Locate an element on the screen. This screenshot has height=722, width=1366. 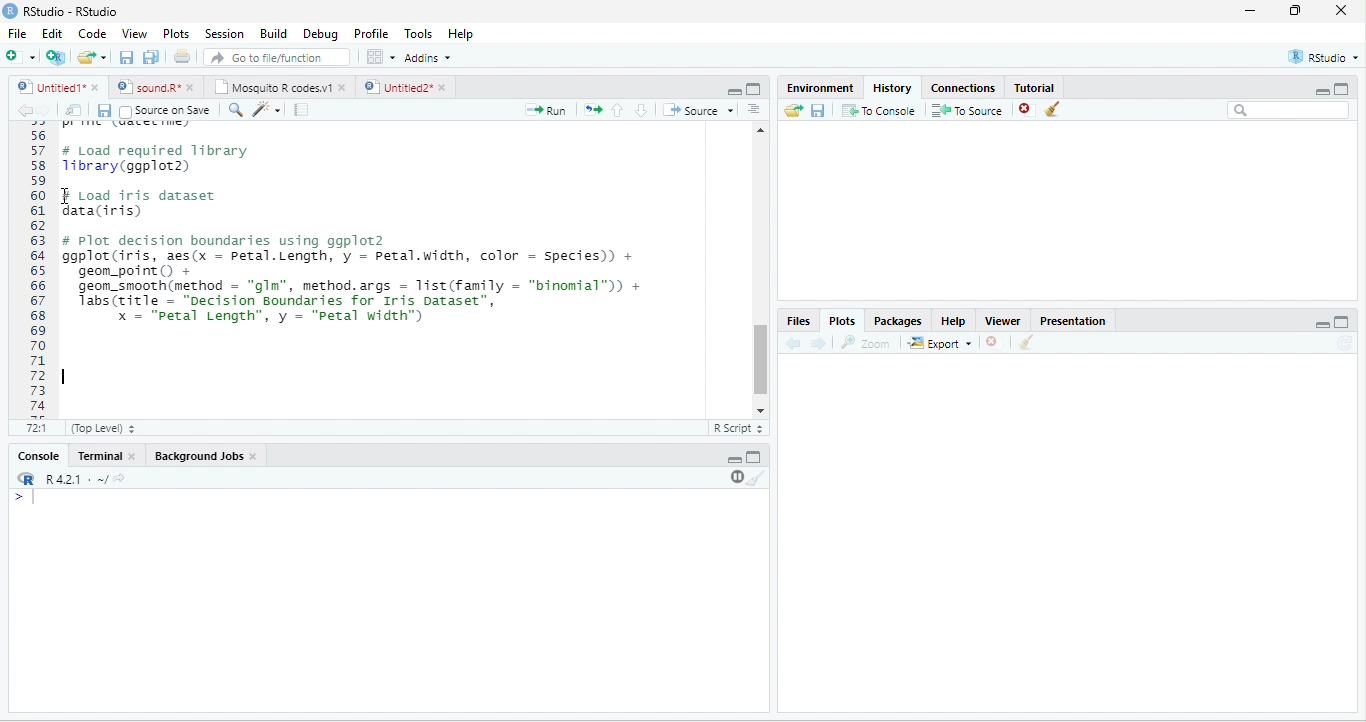
show in new window is located at coordinates (75, 110).